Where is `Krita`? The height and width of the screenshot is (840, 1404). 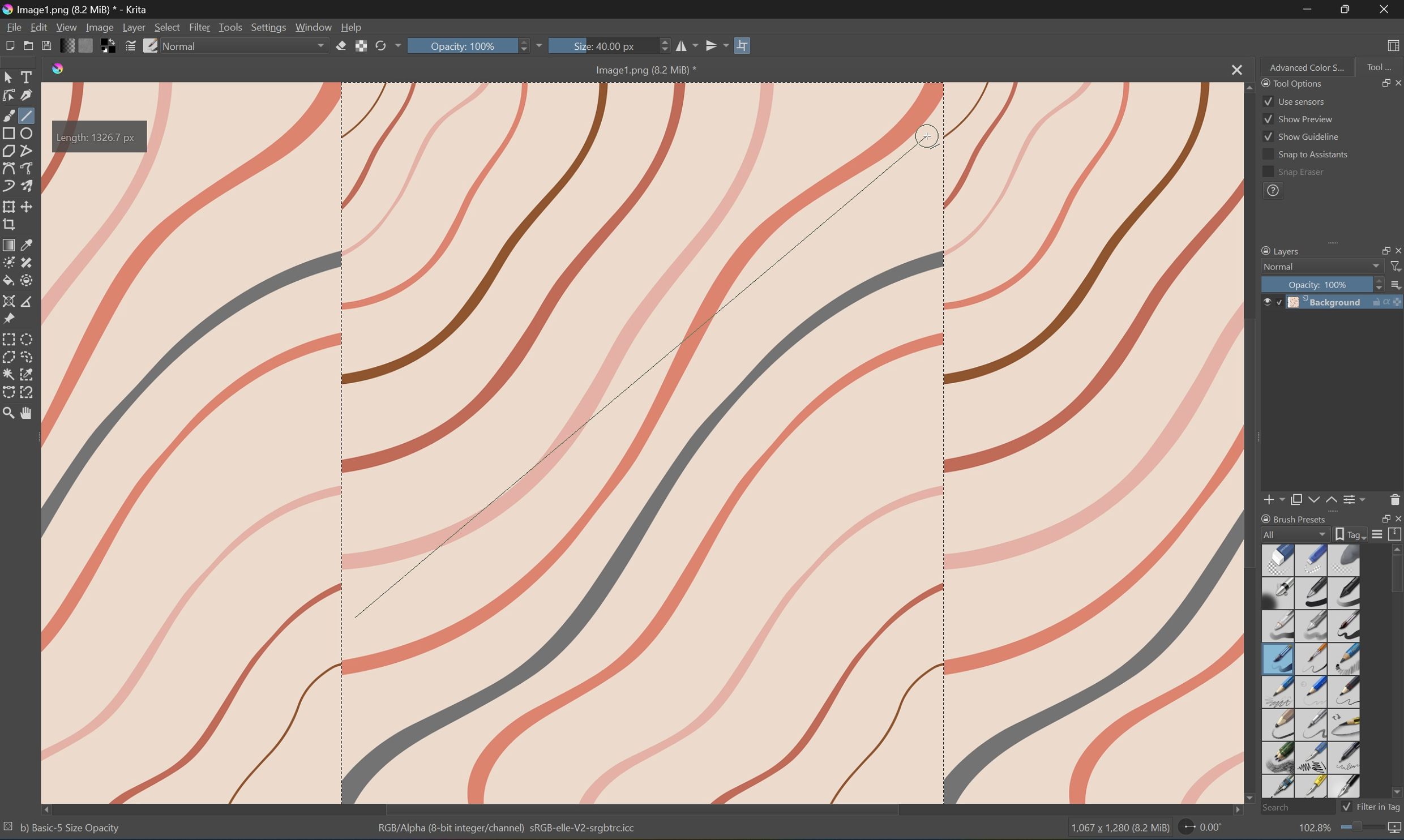
Krita is located at coordinates (59, 70).